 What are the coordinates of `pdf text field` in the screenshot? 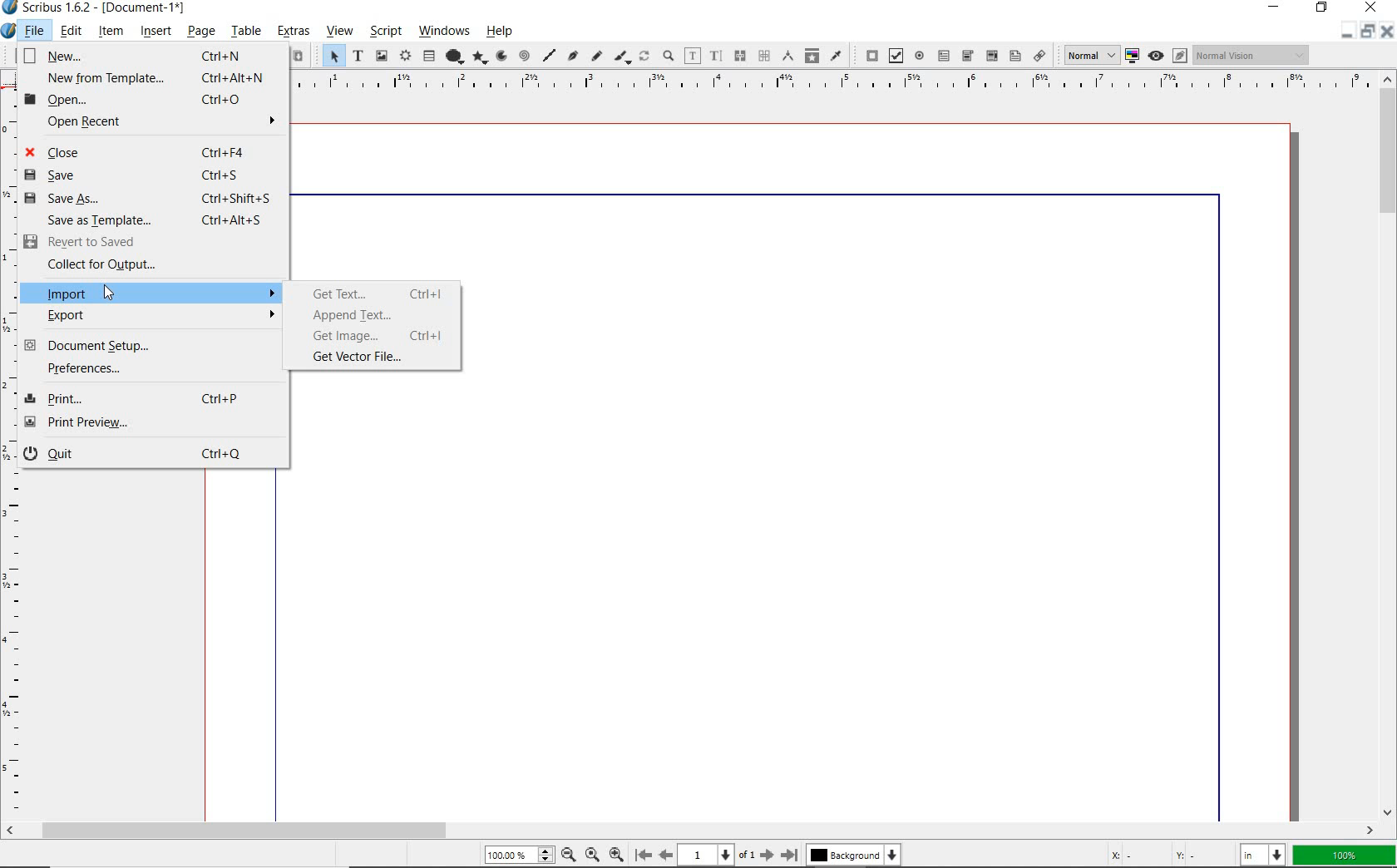 It's located at (944, 55).